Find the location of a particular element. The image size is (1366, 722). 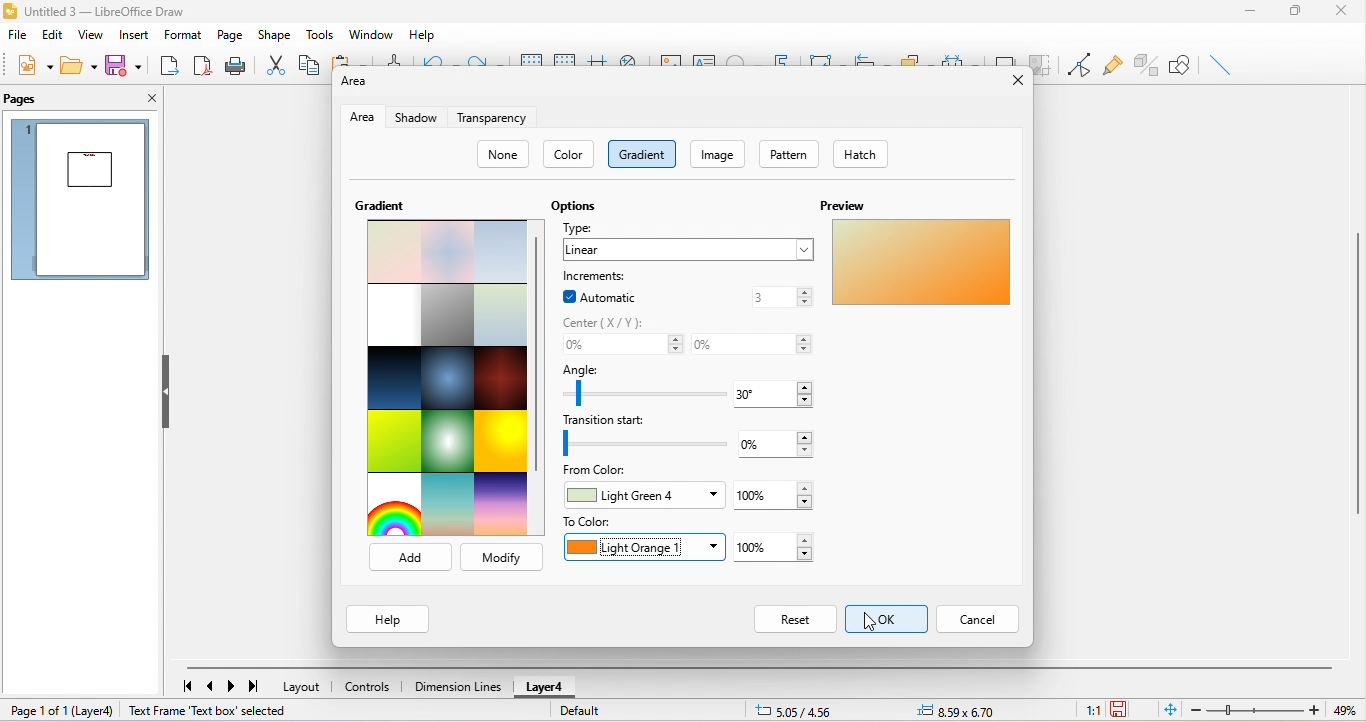

toggle point edit mode is located at coordinates (1080, 65).